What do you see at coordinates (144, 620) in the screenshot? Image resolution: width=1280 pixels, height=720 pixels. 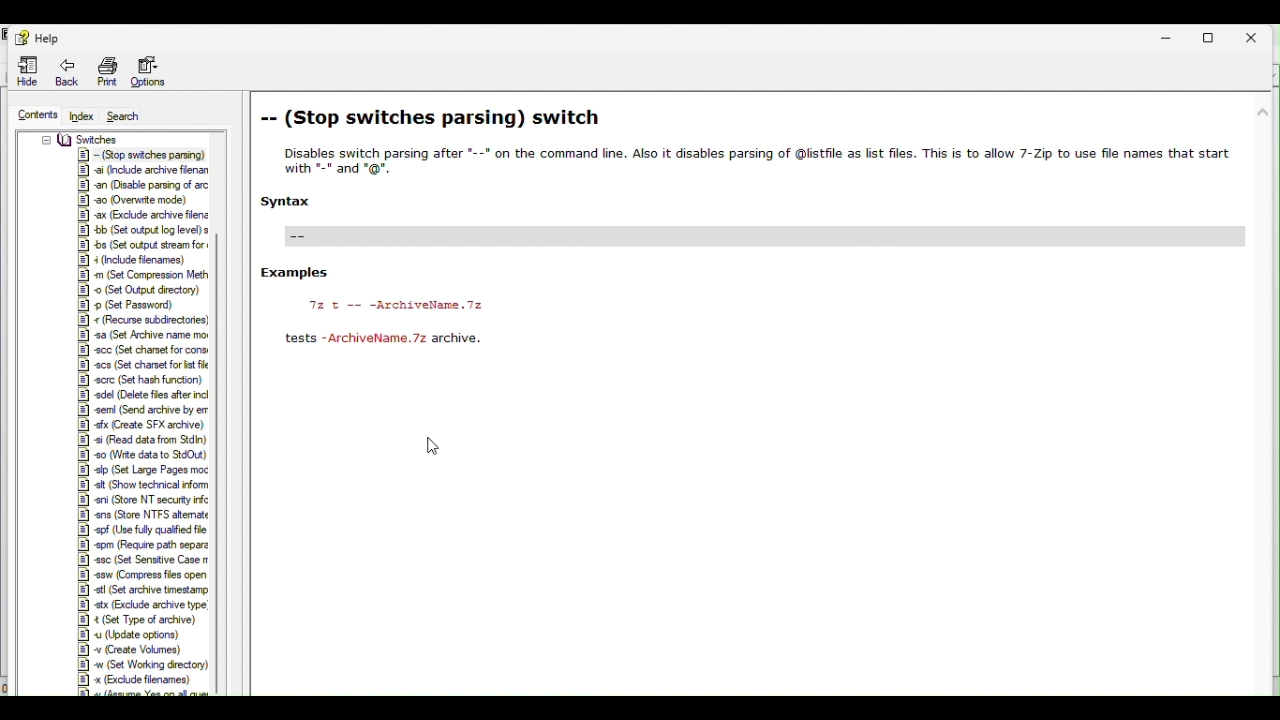 I see `` at bounding box center [144, 620].